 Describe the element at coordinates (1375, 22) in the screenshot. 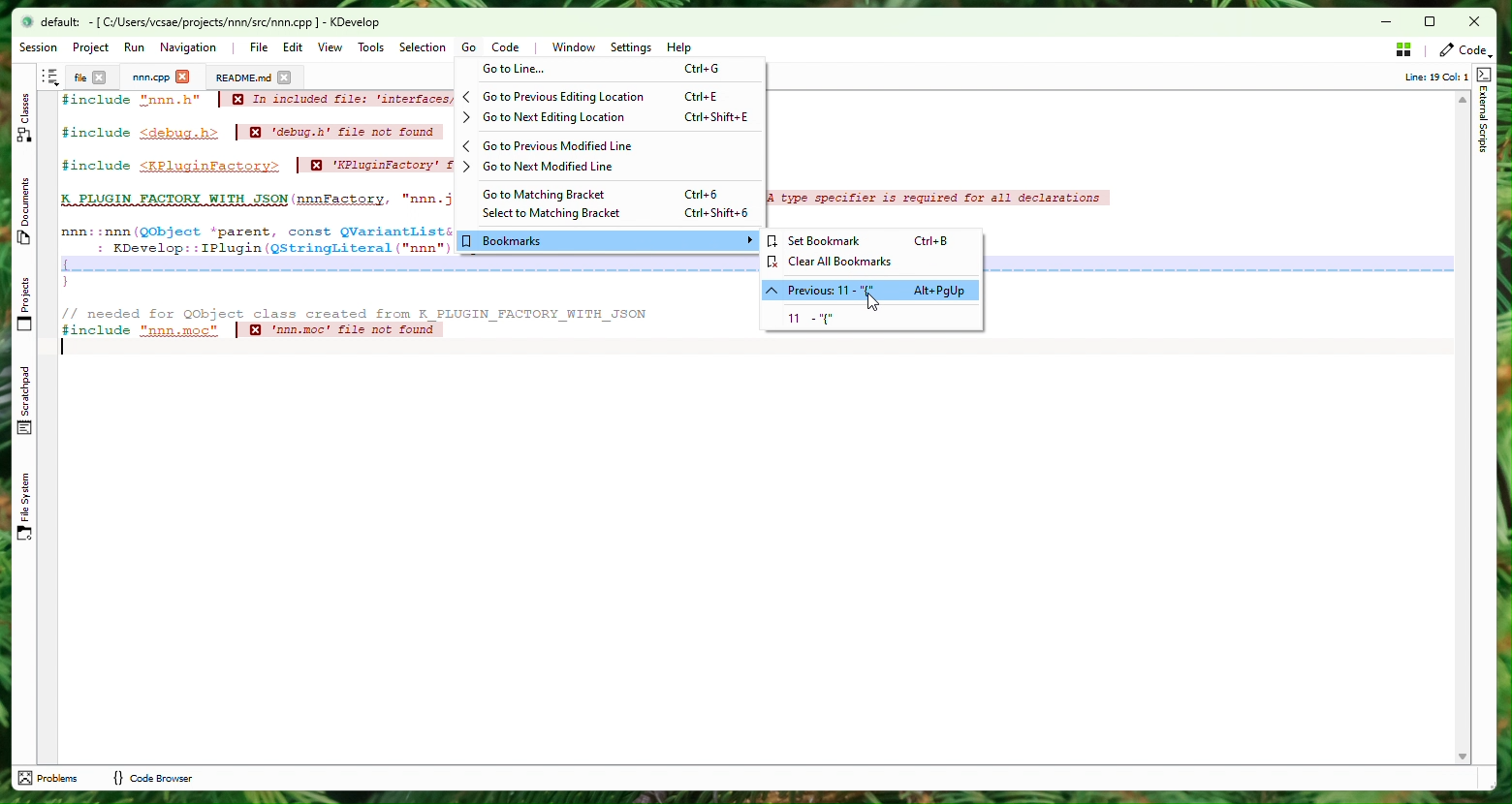

I see `minimize` at that location.